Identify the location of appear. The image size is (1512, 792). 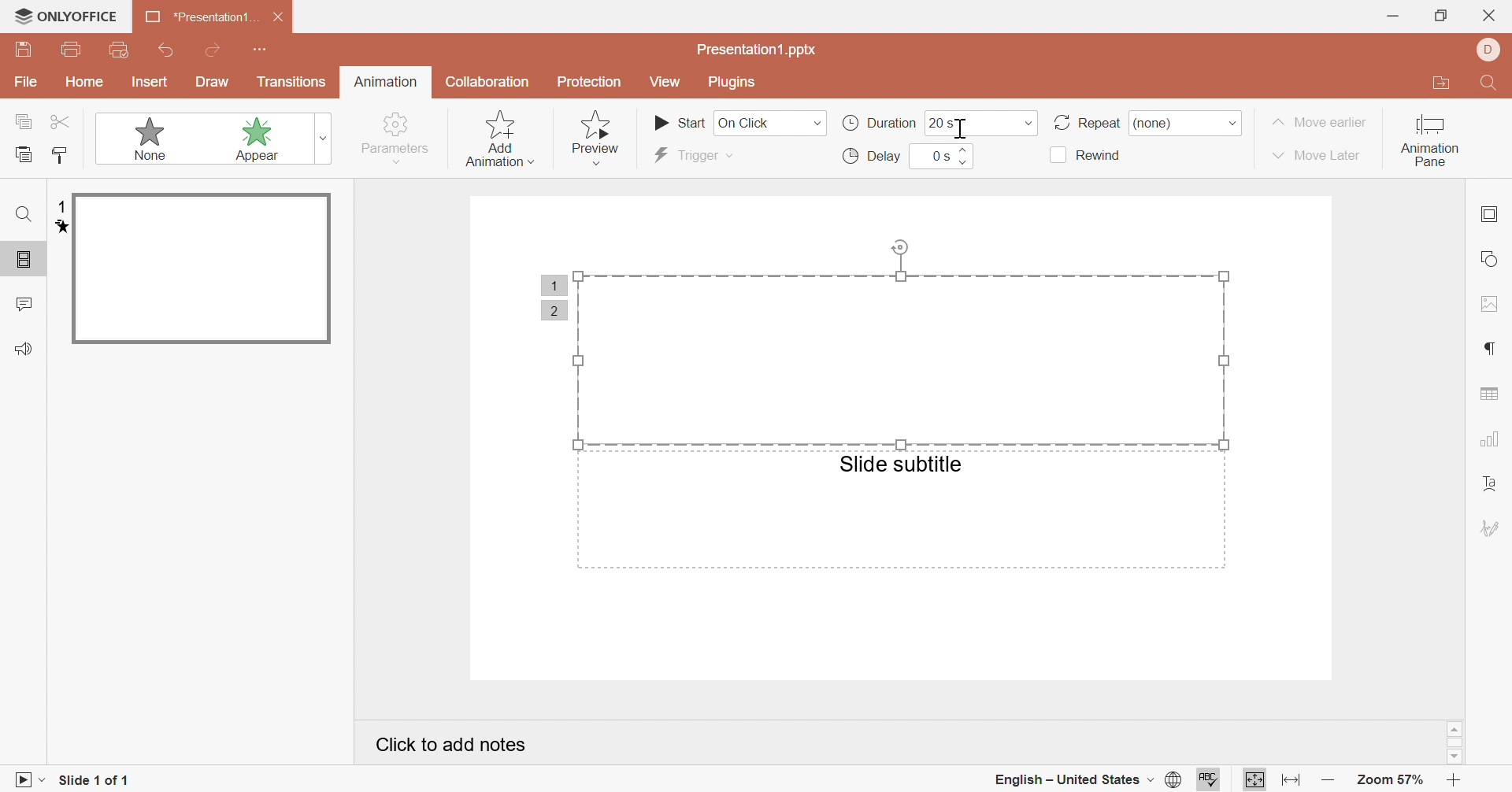
(241, 138).